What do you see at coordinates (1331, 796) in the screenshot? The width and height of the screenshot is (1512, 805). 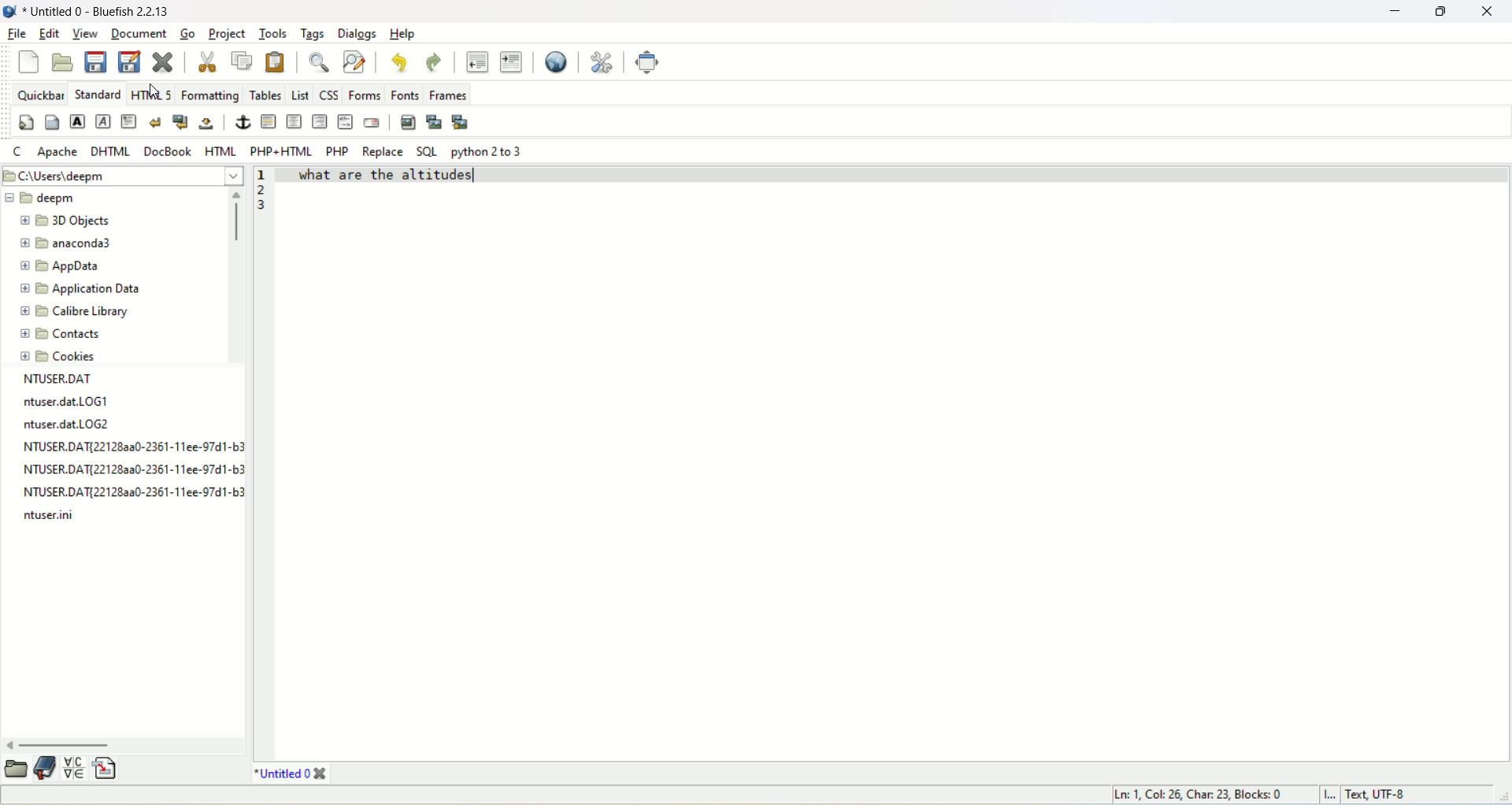 I see `I` at bounding box center [1331, 796].